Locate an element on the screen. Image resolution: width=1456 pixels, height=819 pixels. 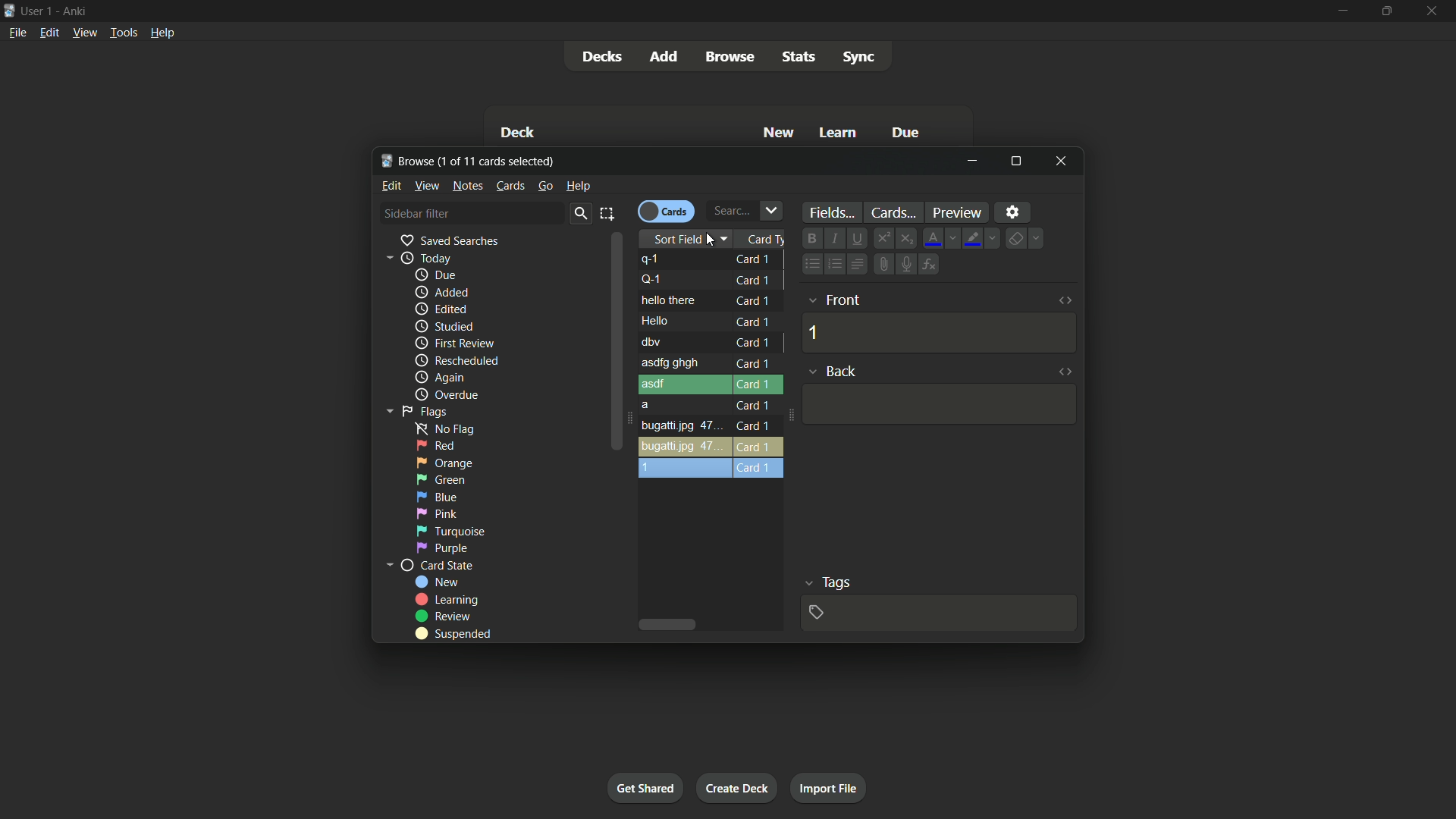
get shared is located at coordinates (645, 789).